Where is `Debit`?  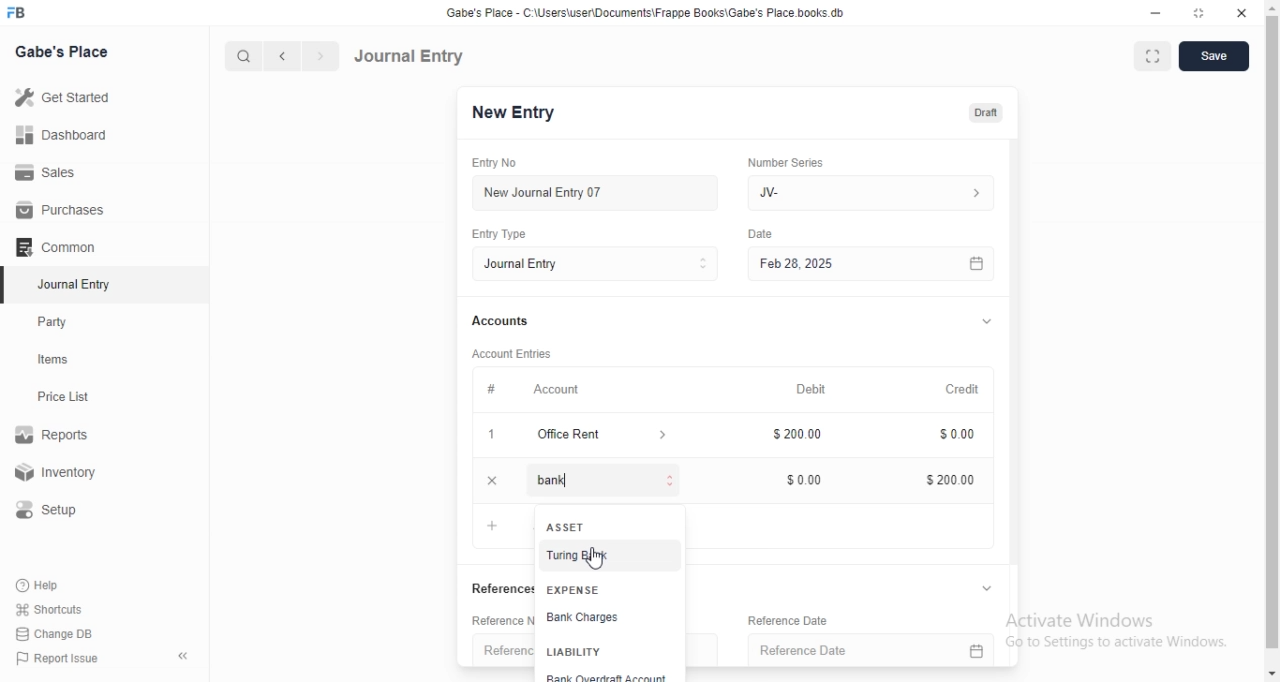
Debit is located at coordinates (815, 387).